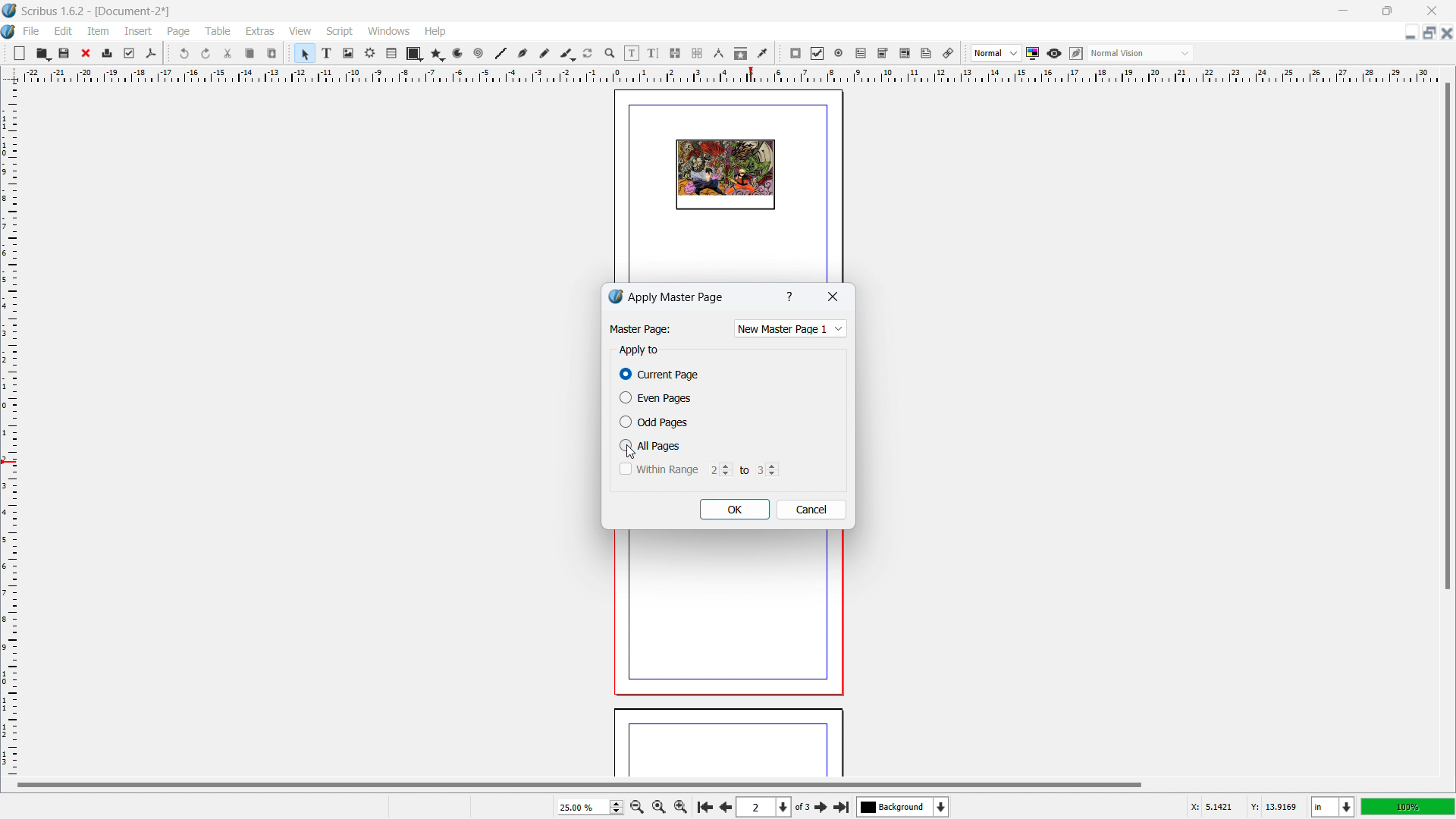 The image size is (1456, 819). What do you see at coordinates (996, 53) in the screenshot?
I see `select image preview quality` at bounding box center [996, 53].